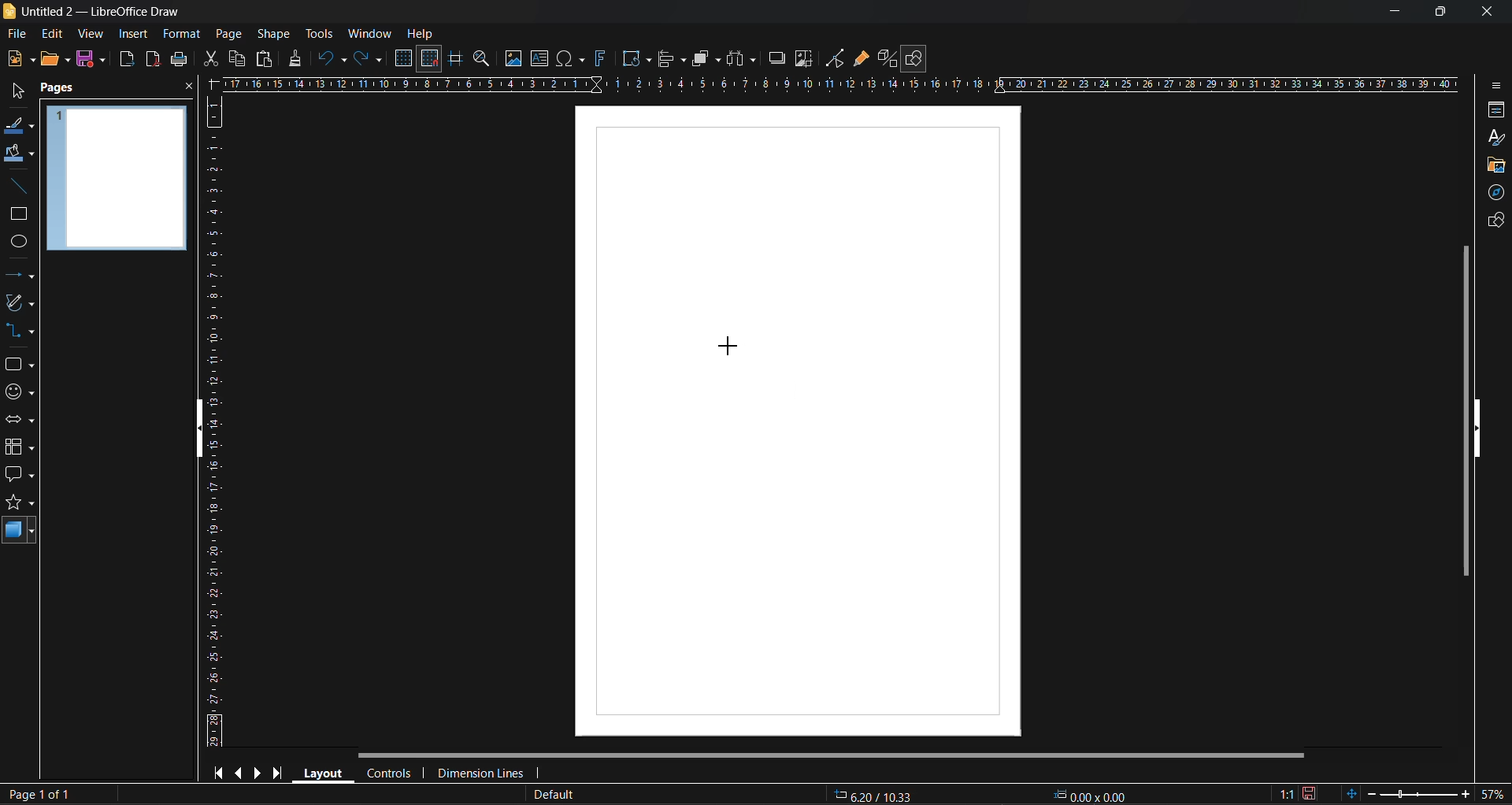  Describe the element at coordinates (18, 186) in the screenshot. I see `insert line` at that location.